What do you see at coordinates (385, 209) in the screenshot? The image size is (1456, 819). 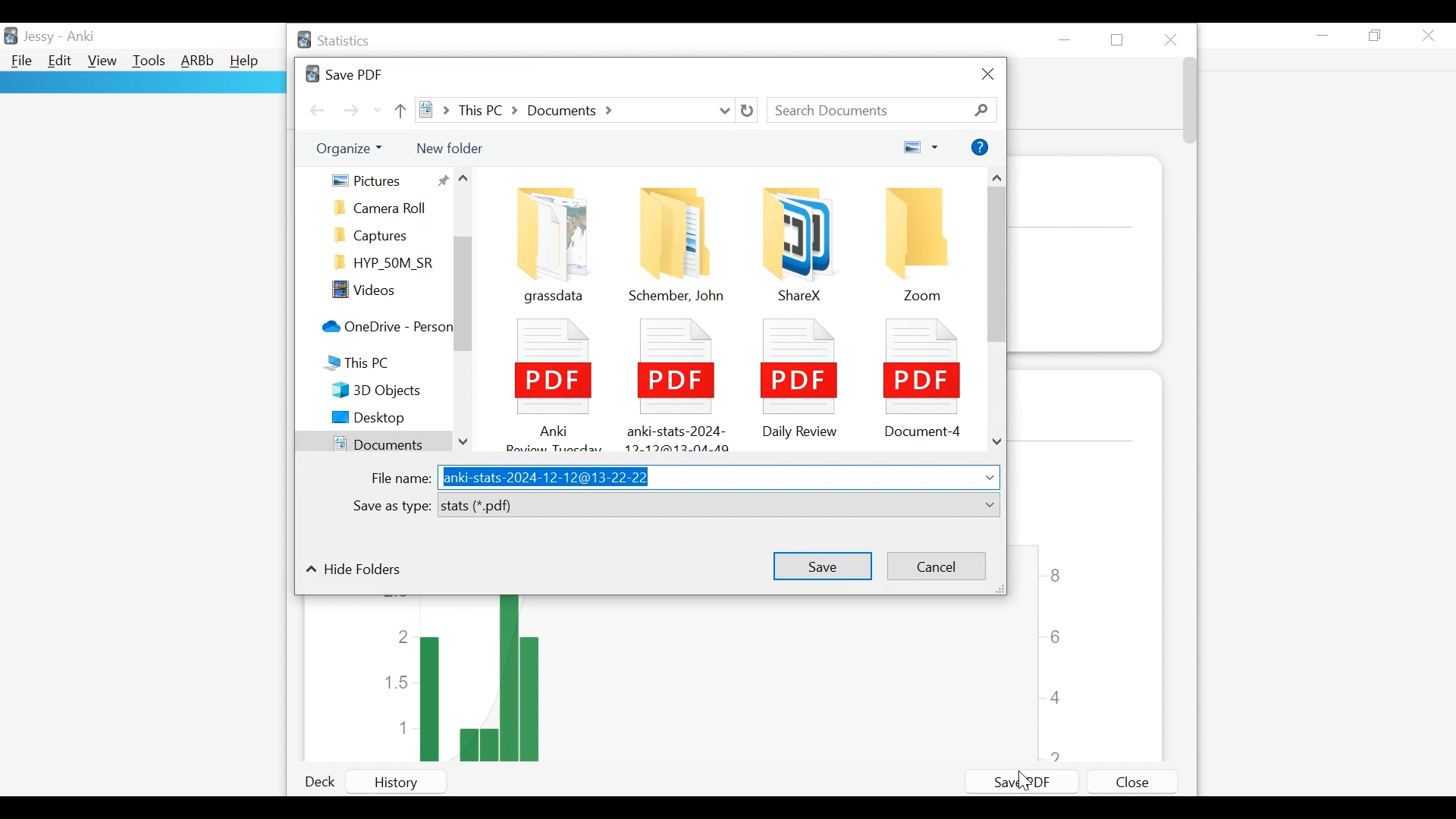 I see `Folder` at bounding box center [385, 209].